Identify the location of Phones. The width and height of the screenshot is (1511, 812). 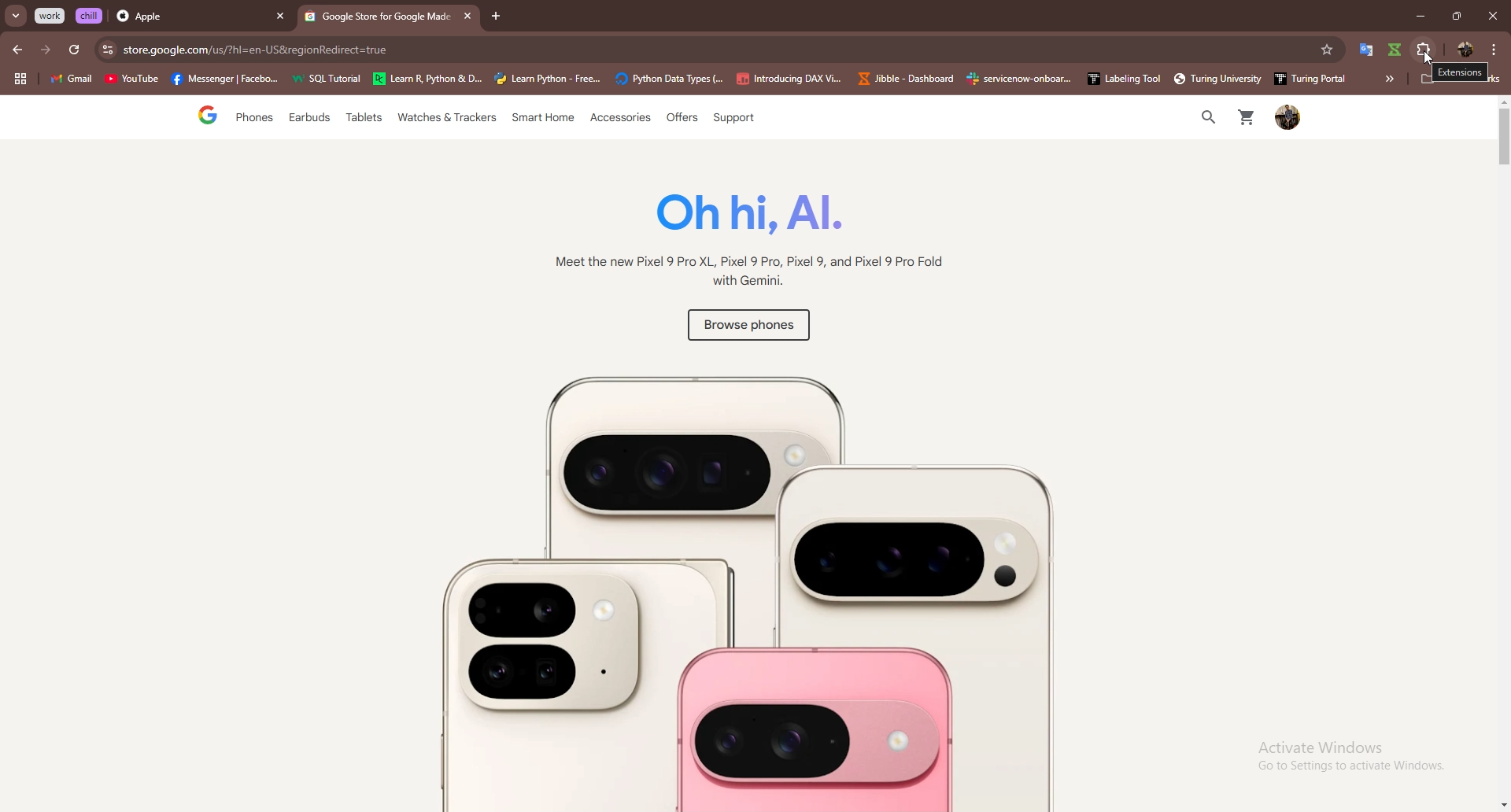
(250, 119).